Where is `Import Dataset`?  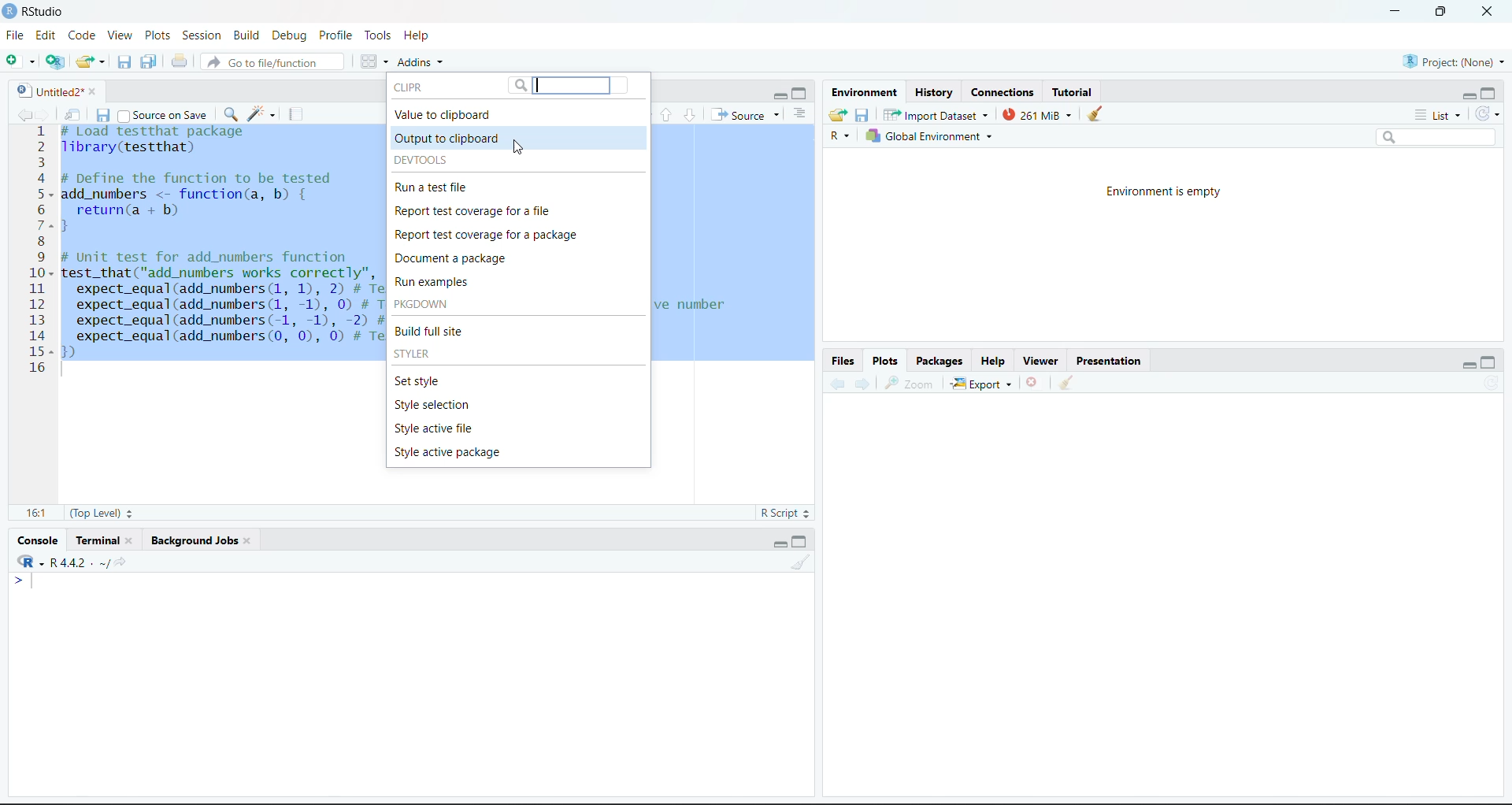
Import Dataset is located at coordinates (936, 115).